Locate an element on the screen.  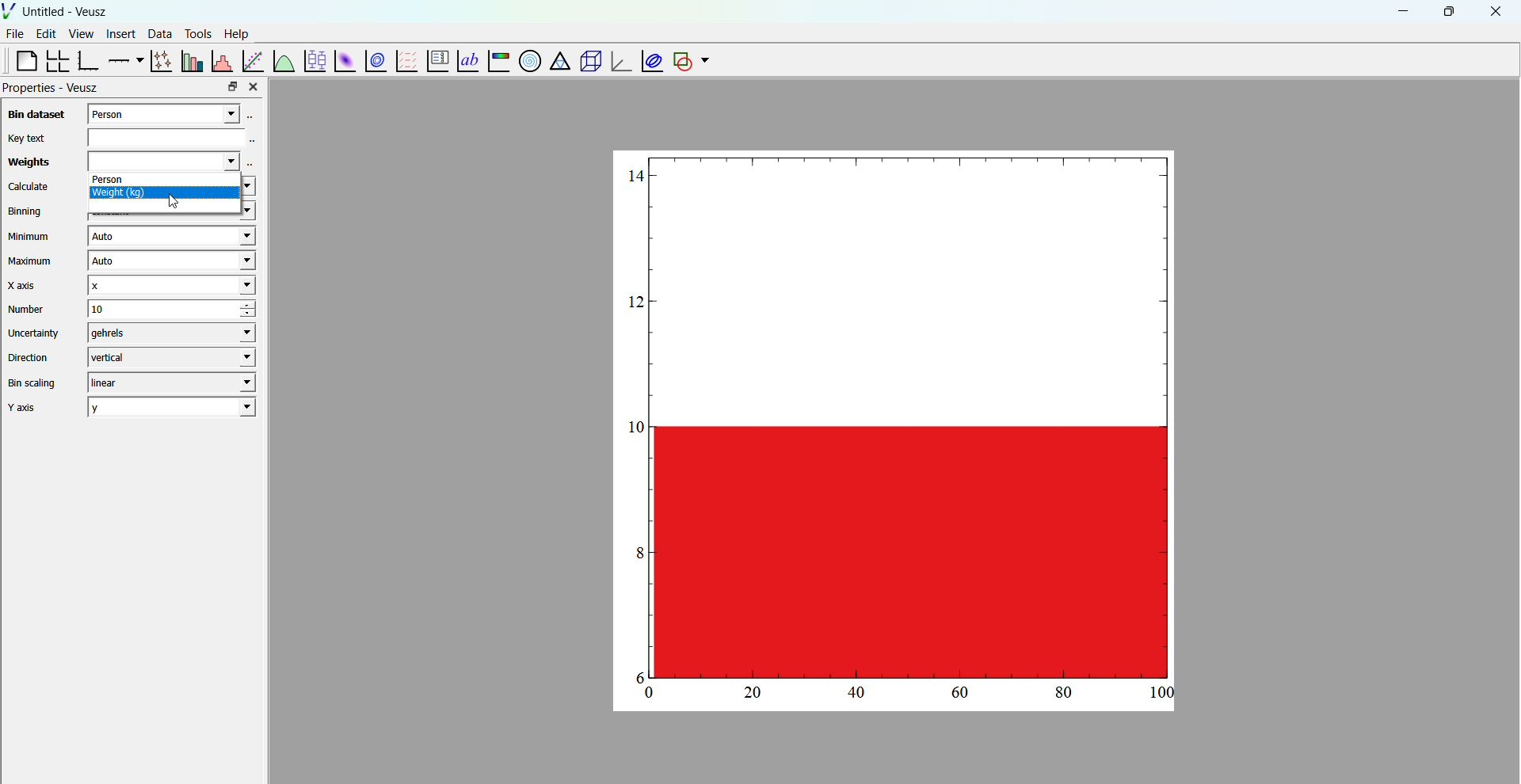
Person is located at coordinates (166, 181).